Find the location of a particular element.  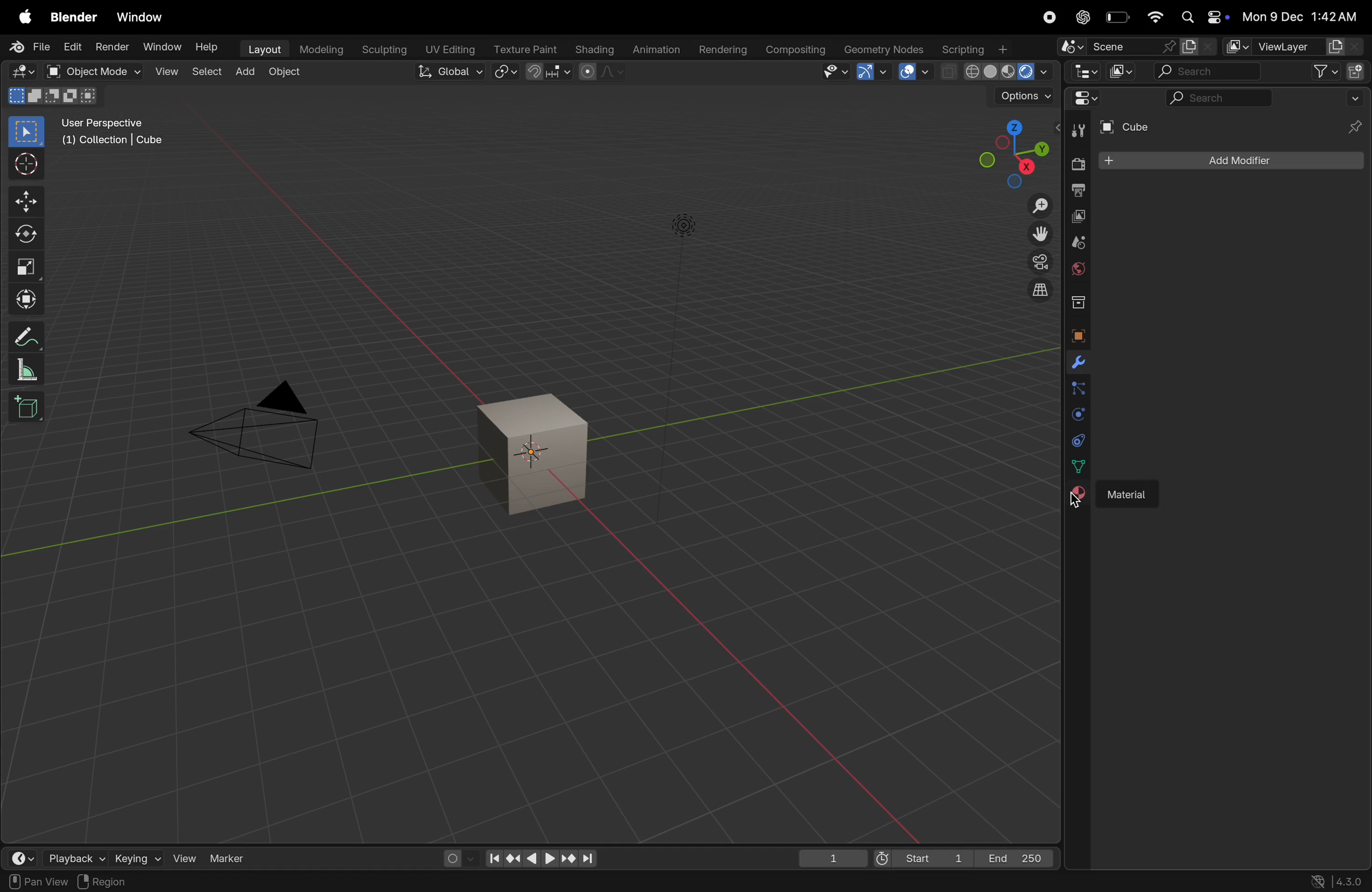

animation is located at coordinates (655, 51).